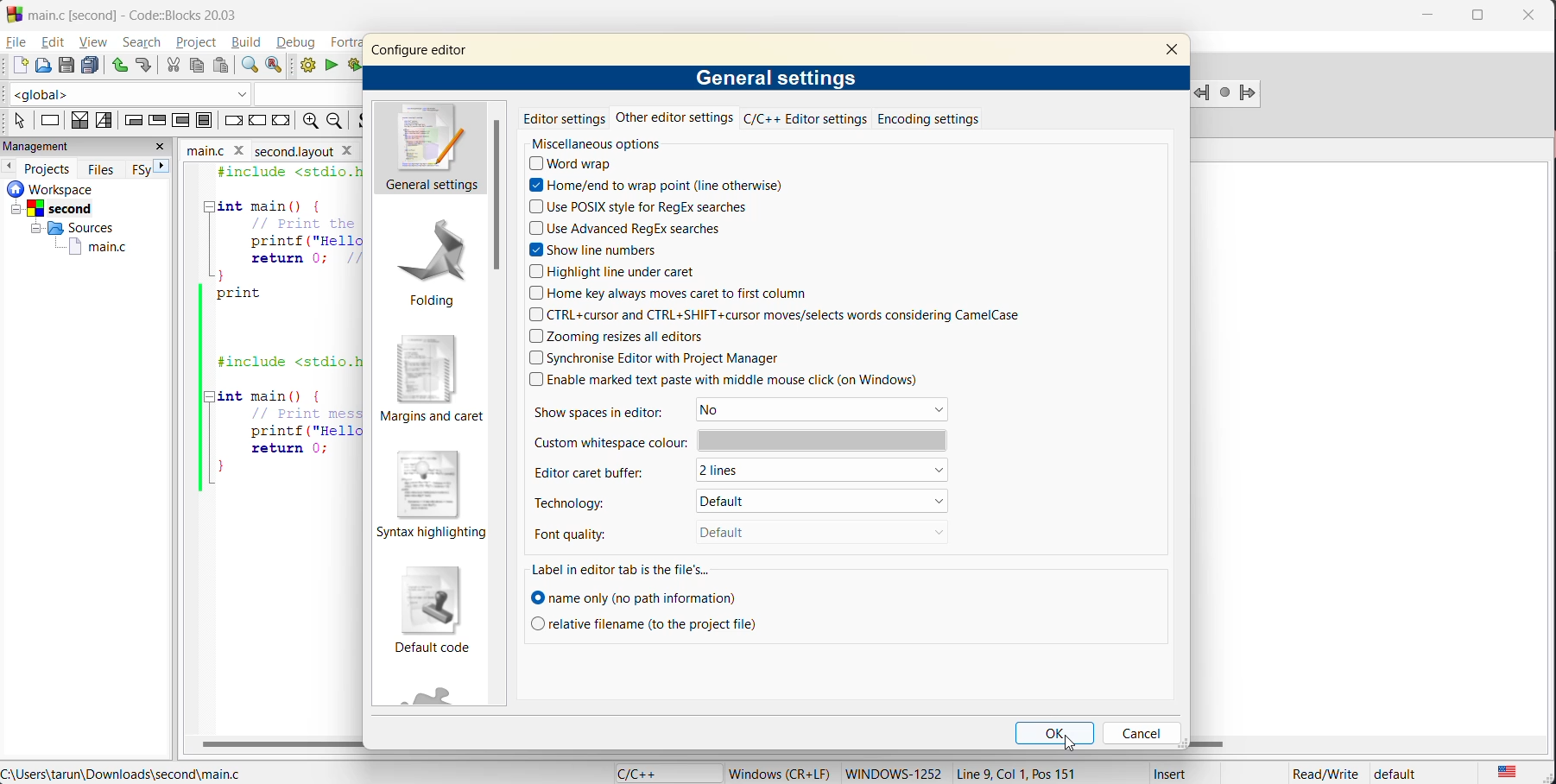 Image resolution: width=1556 pixels, height=784 pixels. I want to click on custom whitespace color, so click(741, 444).